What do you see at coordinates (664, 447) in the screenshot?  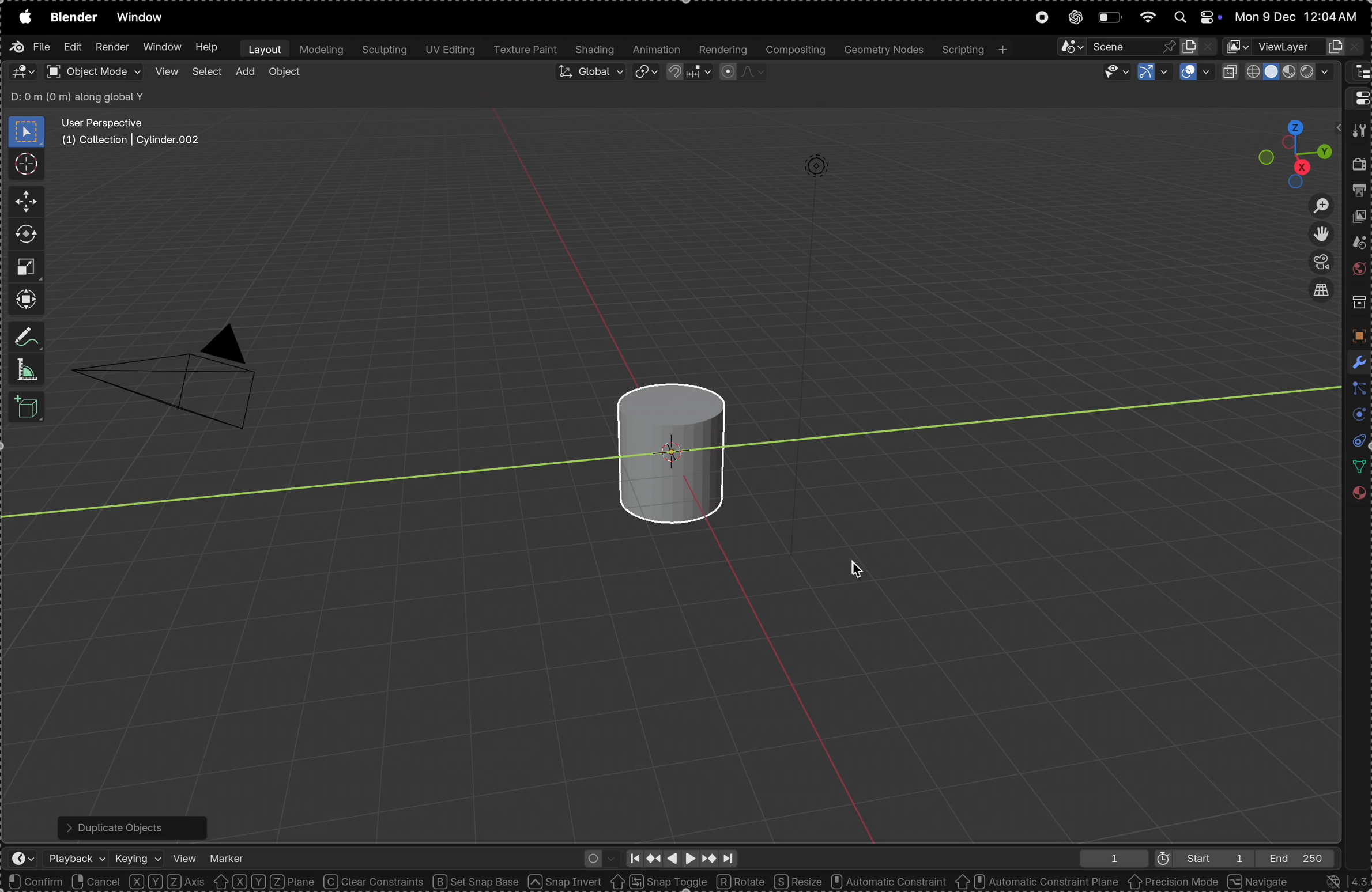 I see `cylinder` at bounding box center [664, 447].